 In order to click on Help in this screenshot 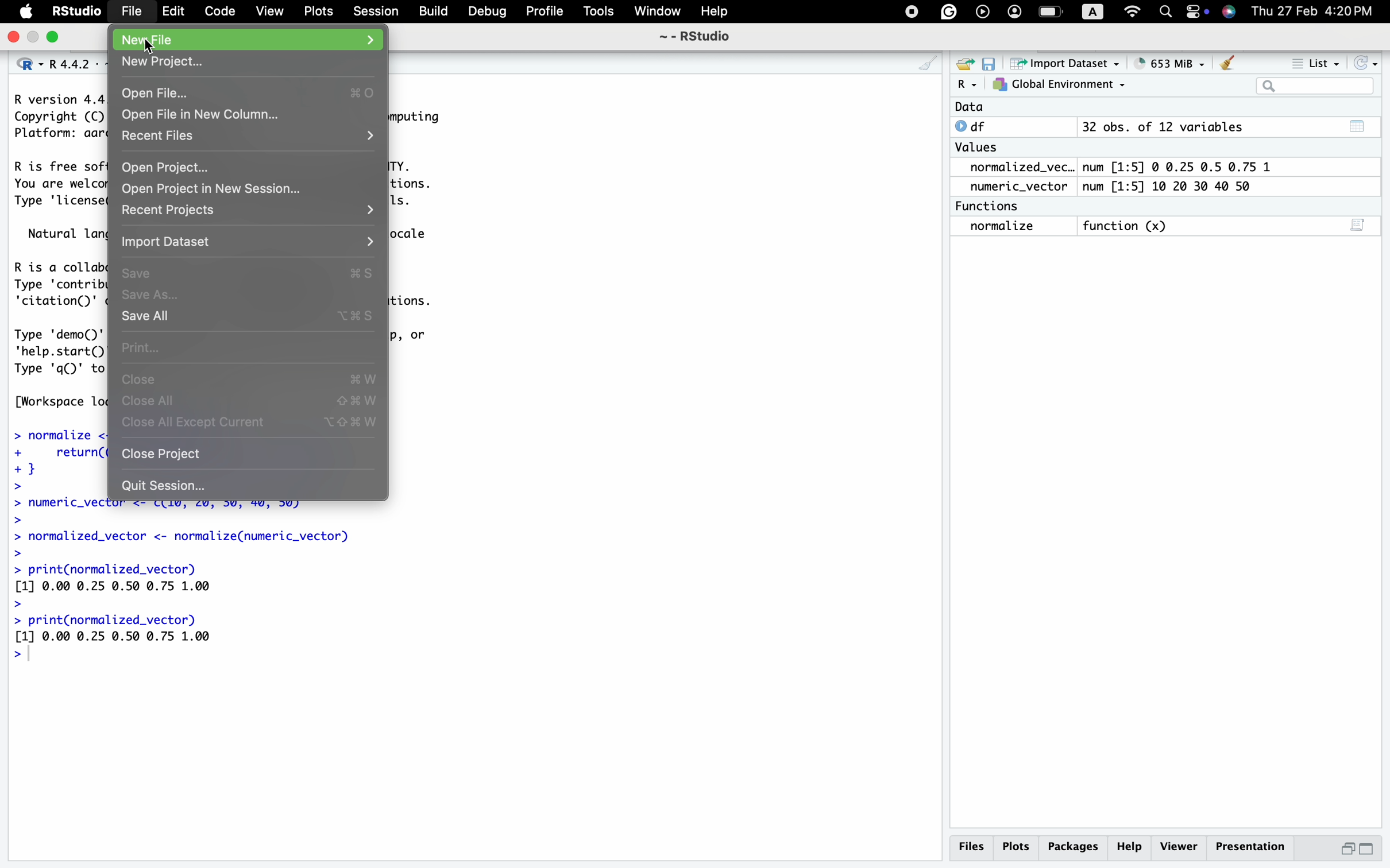, I will do `click(1132, 846)`.